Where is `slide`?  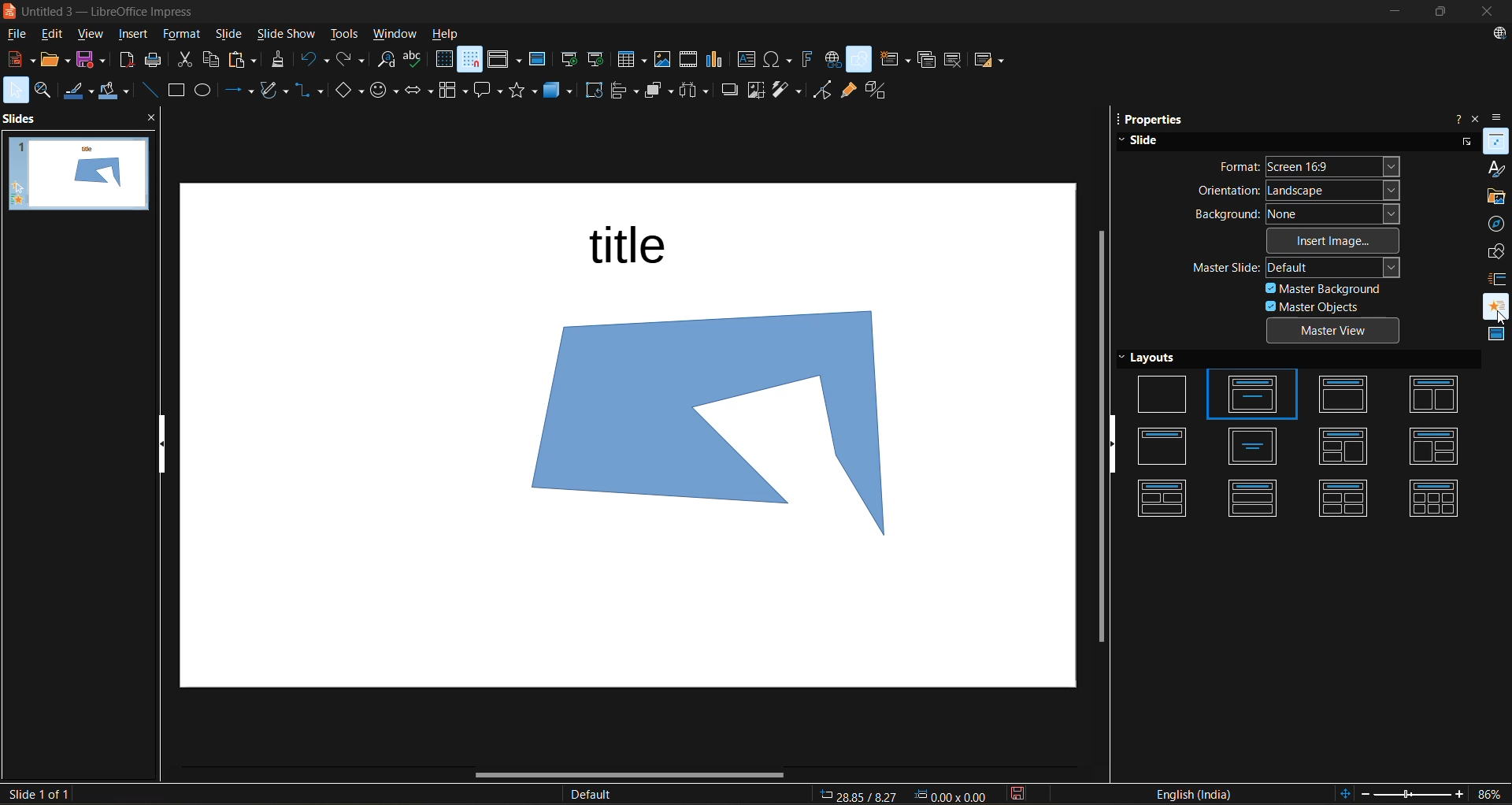 slide is located at coordinates (231, 36).